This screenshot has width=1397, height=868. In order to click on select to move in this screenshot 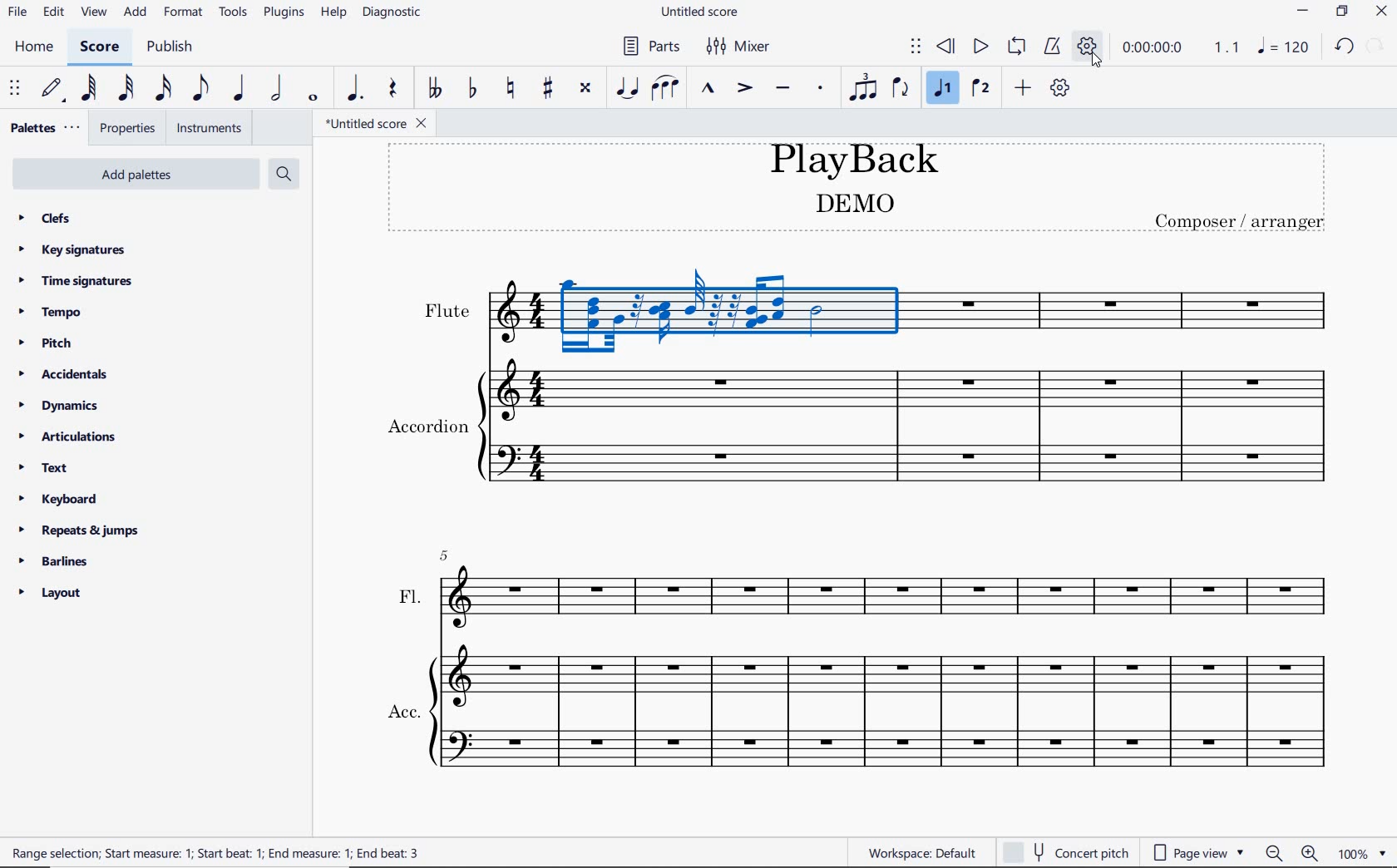, I will do `click(914, 47)`.